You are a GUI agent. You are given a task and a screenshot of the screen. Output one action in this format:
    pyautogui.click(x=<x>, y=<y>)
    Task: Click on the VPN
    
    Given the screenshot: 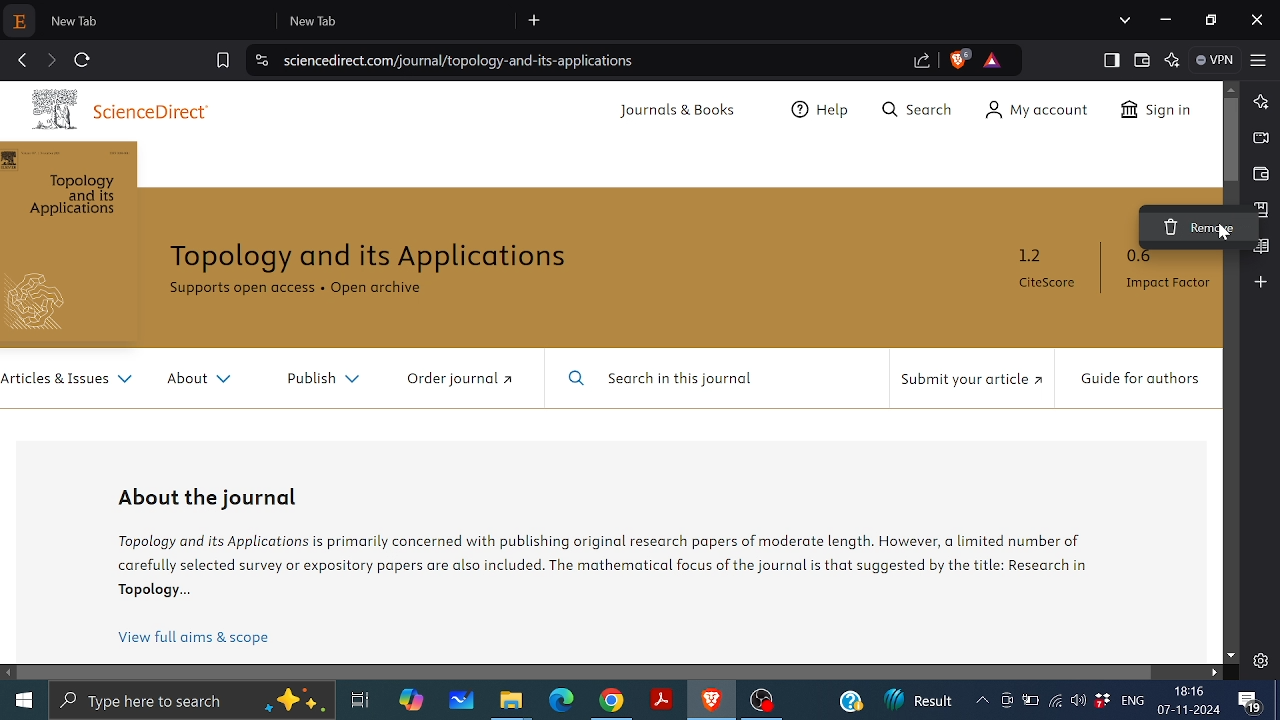 What is the action you would take?
    pyautogui.click(x=1216, y=60)
    